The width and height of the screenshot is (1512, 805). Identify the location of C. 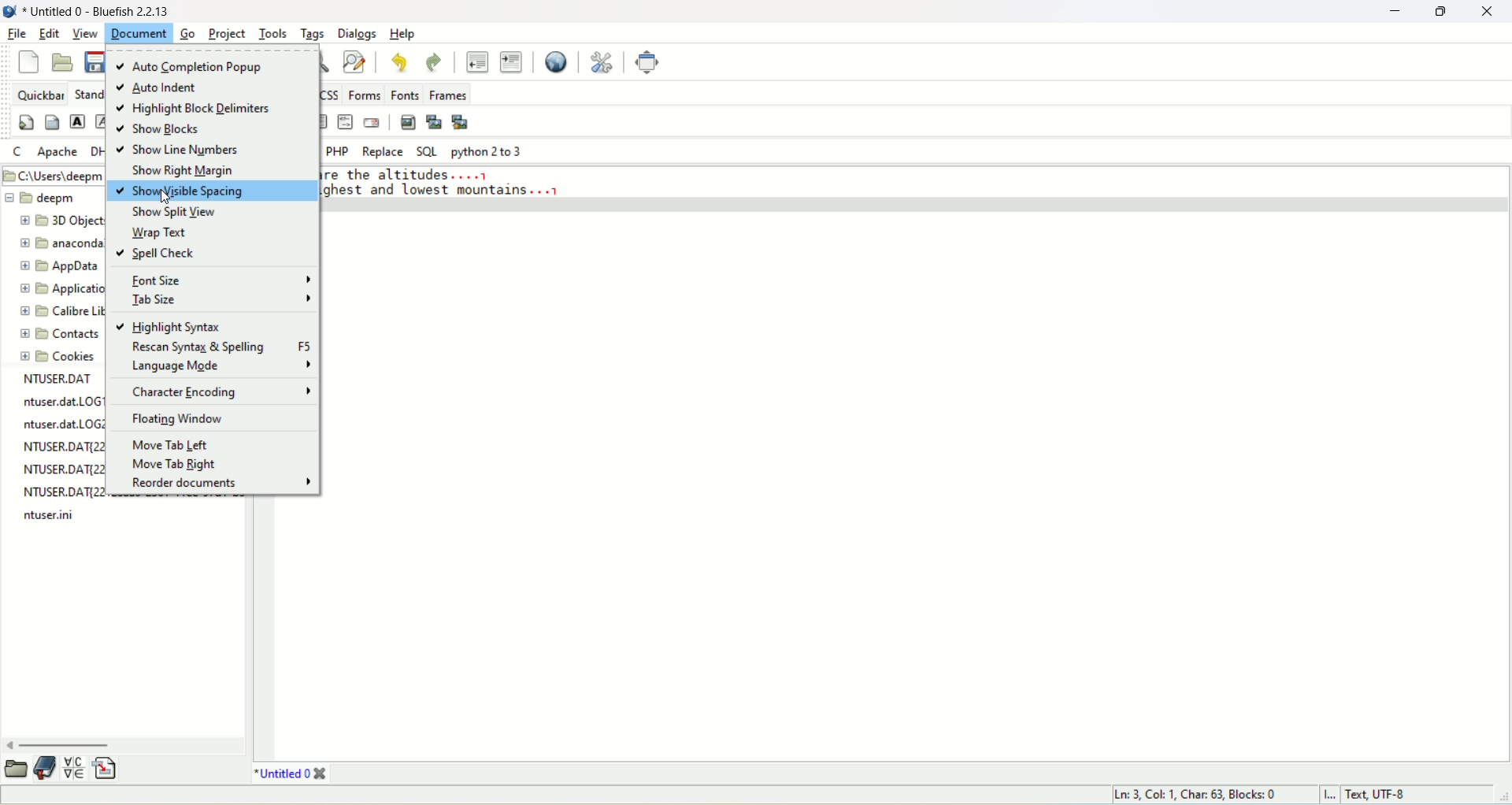
(17, 150).